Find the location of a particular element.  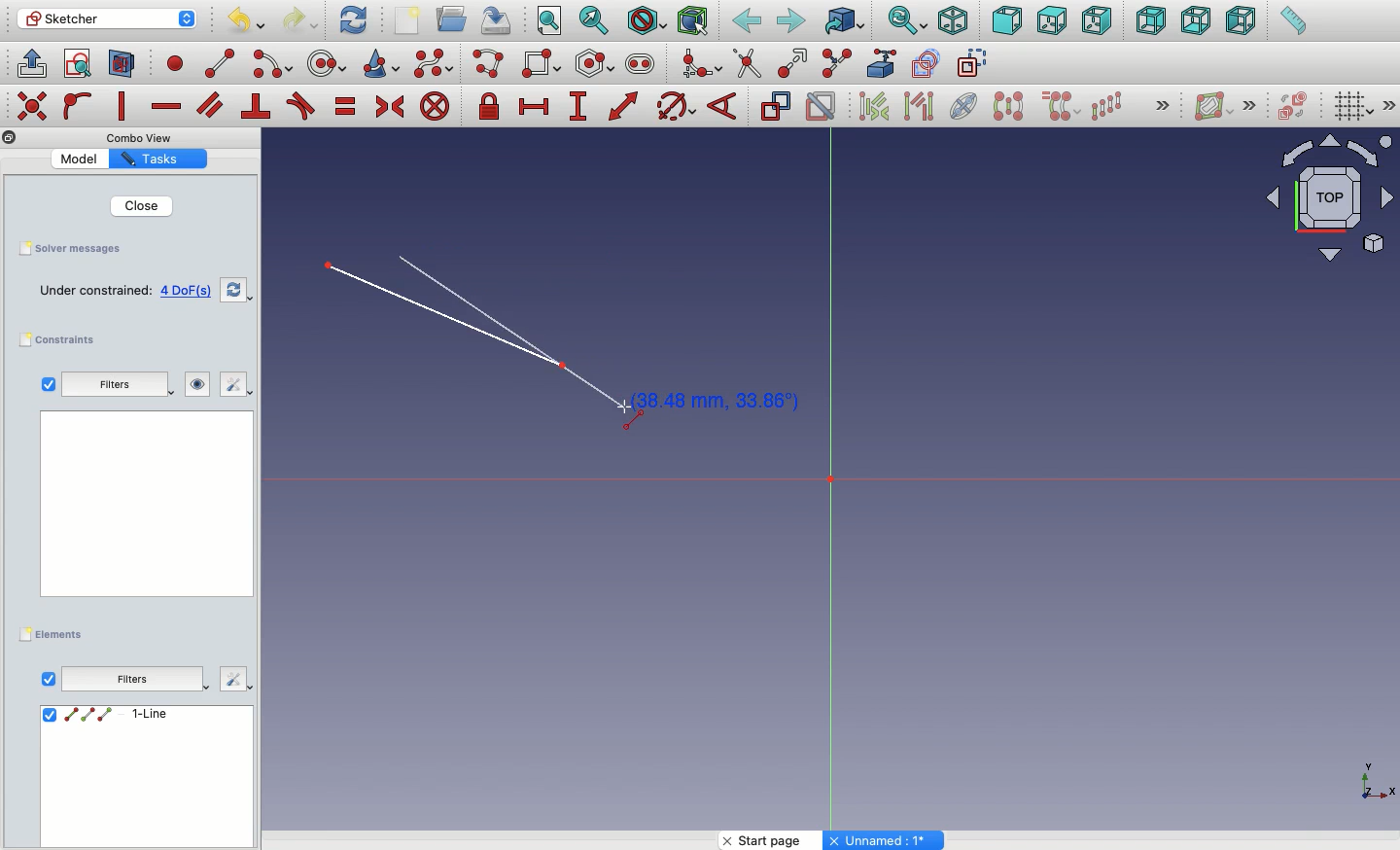

Switch virtual place is located at coordinates (1294, 106).